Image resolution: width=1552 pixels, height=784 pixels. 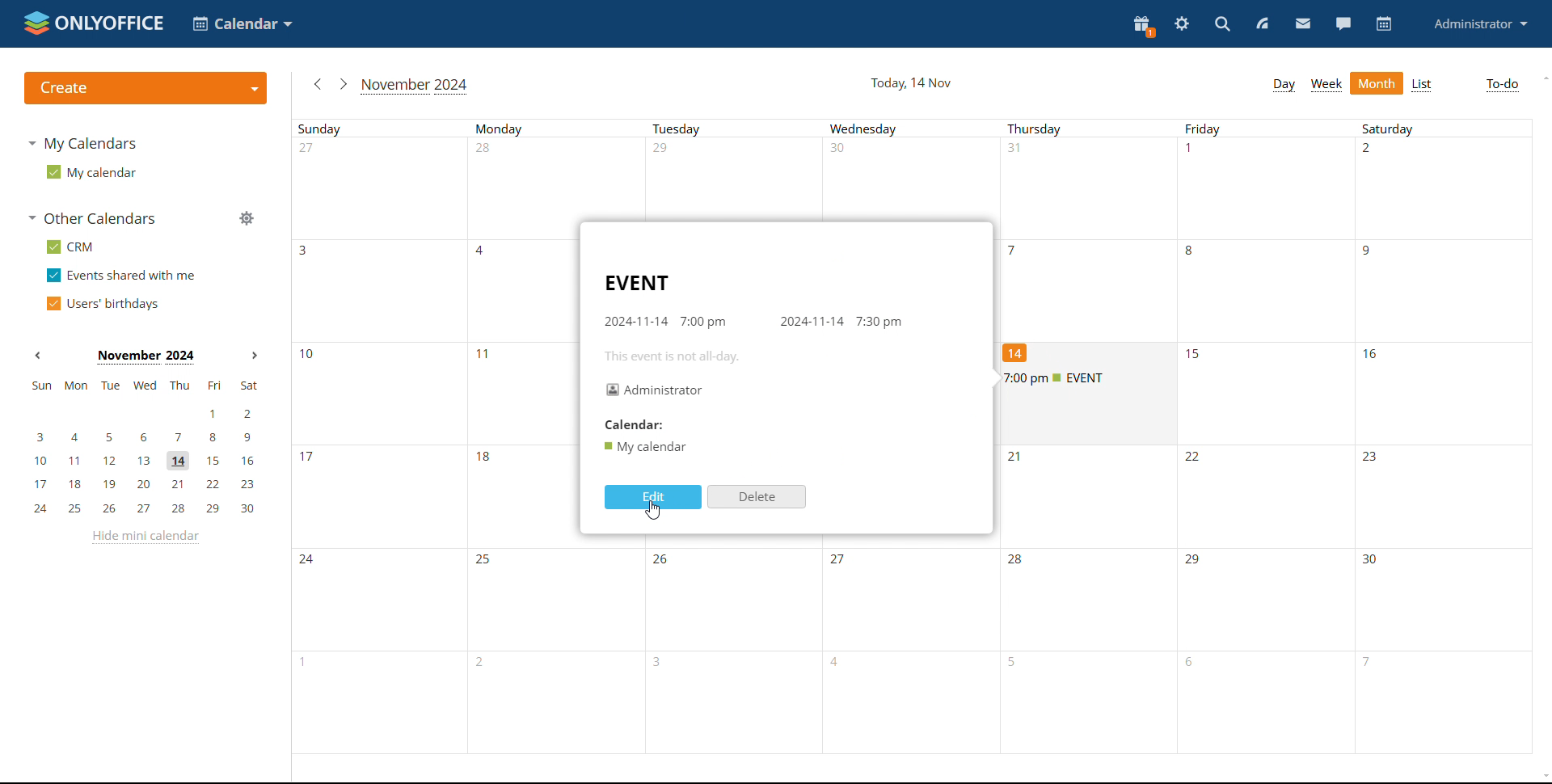 I want to click on month view, so click(x=1376, y=83).